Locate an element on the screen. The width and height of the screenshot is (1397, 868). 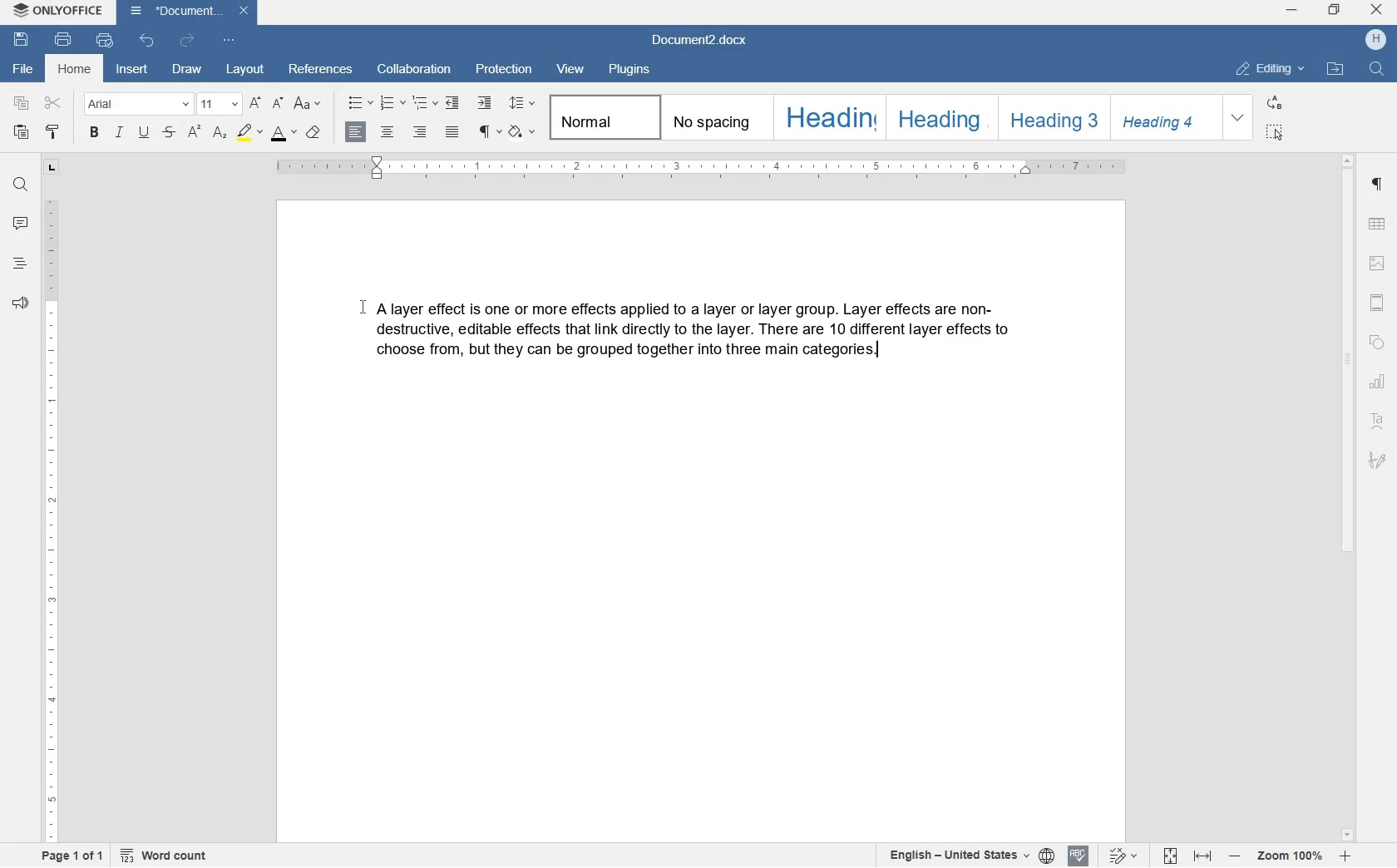
decrease indent is located at coordinates (456, 102).